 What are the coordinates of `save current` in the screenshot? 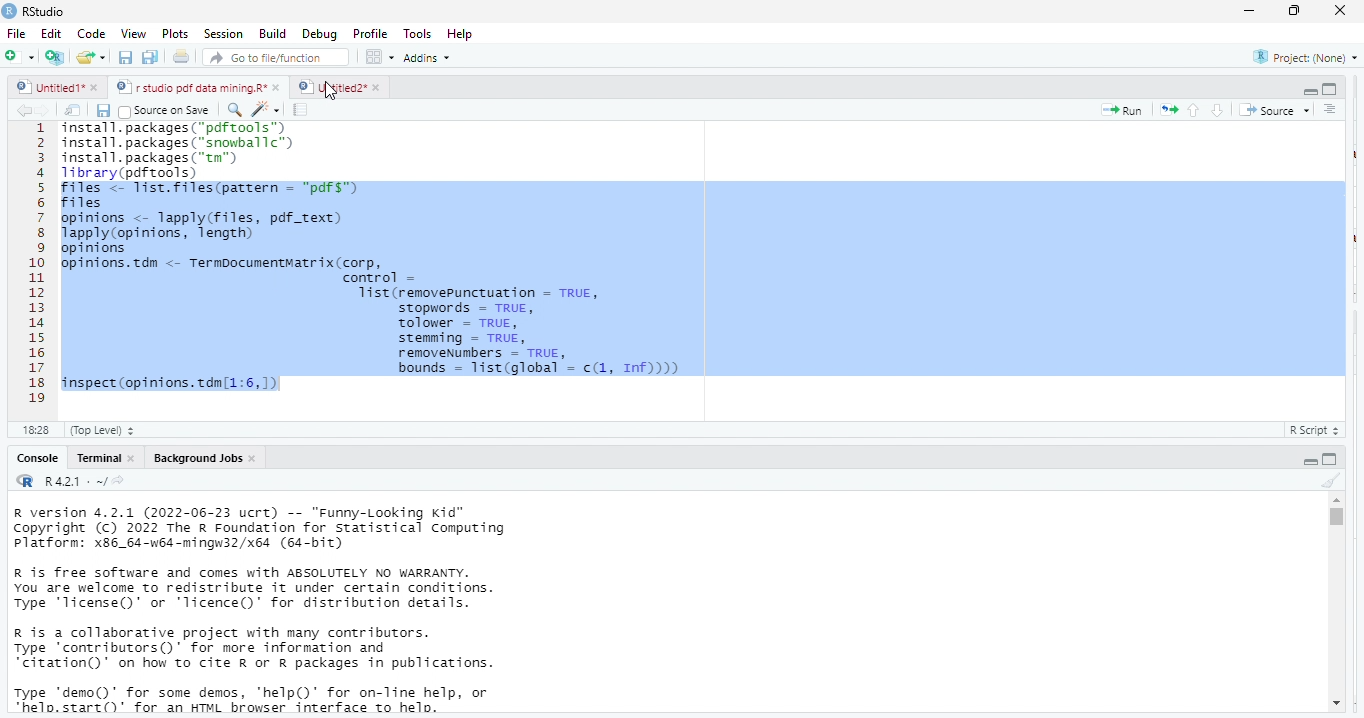 It's located at (104, 109).